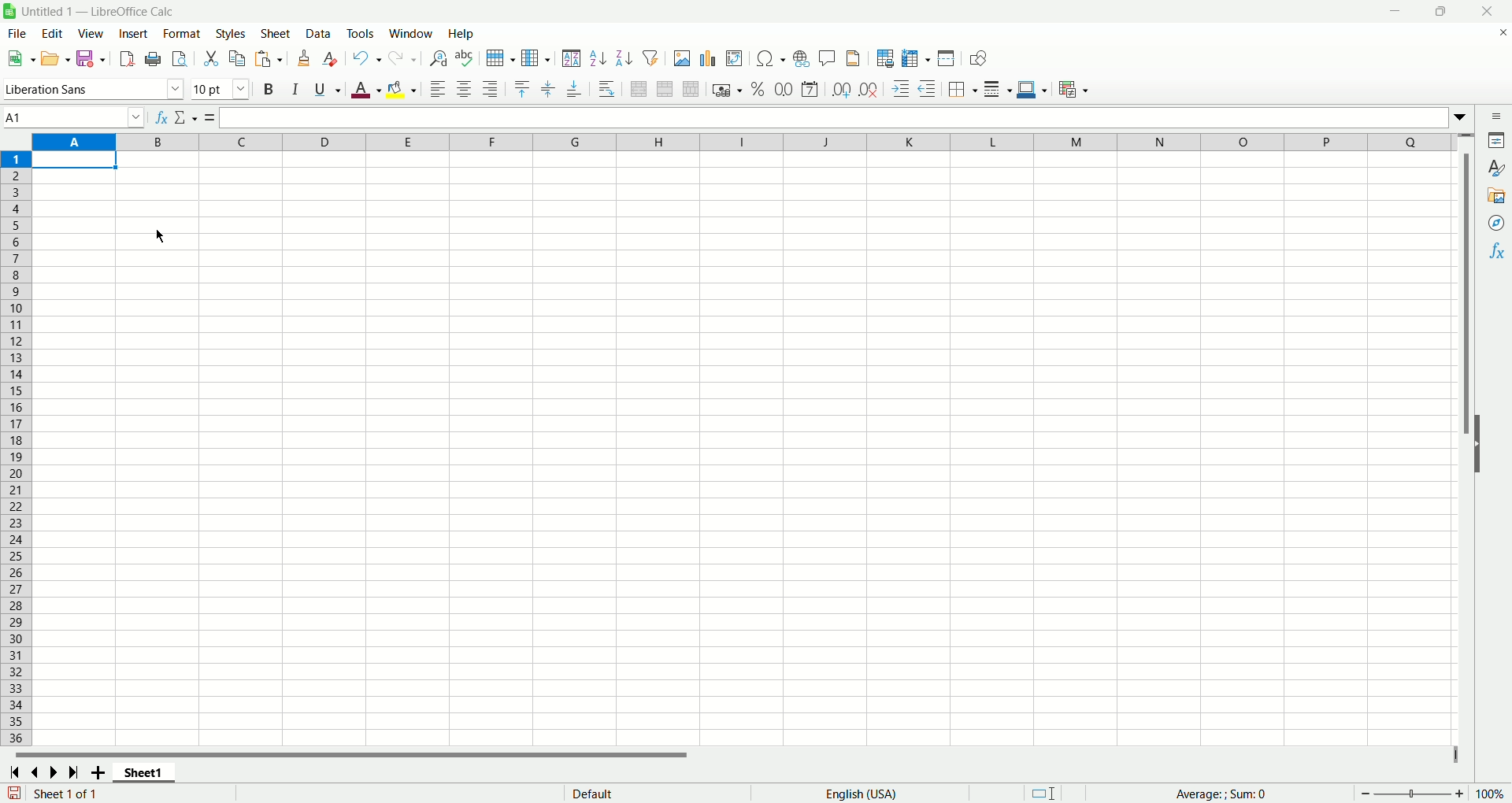 The image size is (1512, 803). Describe the element at coordinates (237, 60) in the screenshot. I see `copy` at that location.